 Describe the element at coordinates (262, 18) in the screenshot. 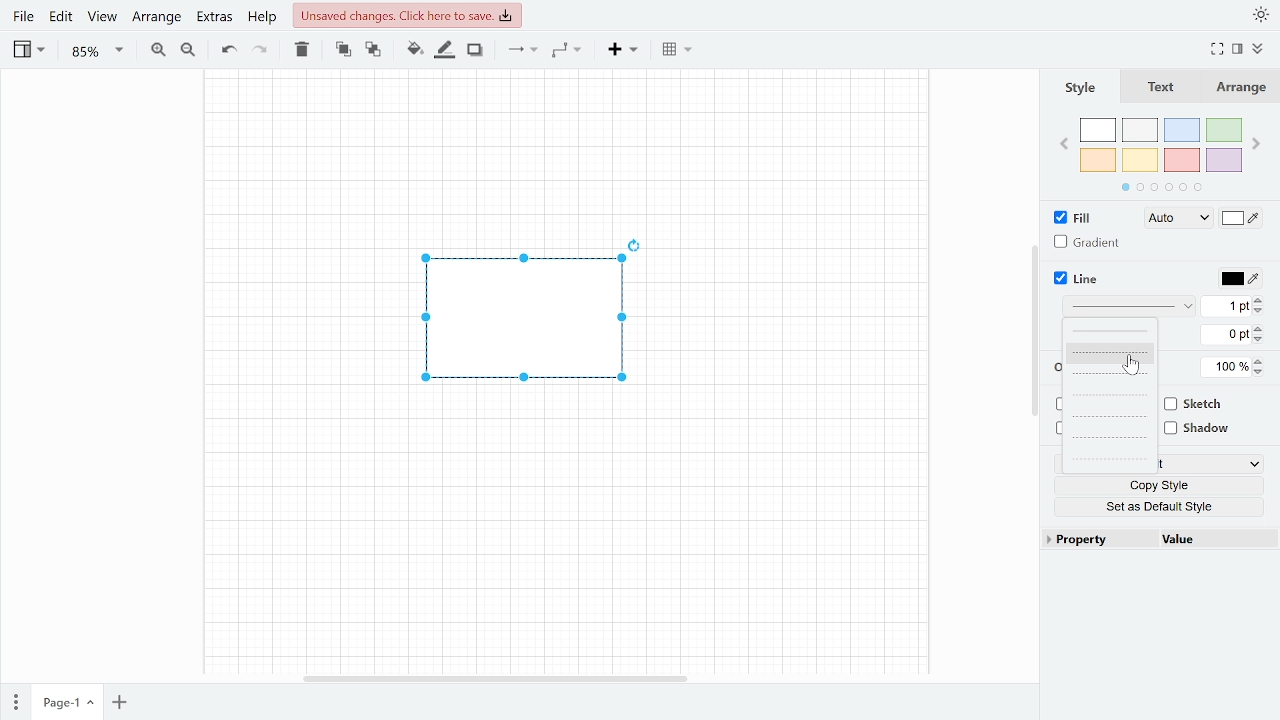

I see `Help` at that location.